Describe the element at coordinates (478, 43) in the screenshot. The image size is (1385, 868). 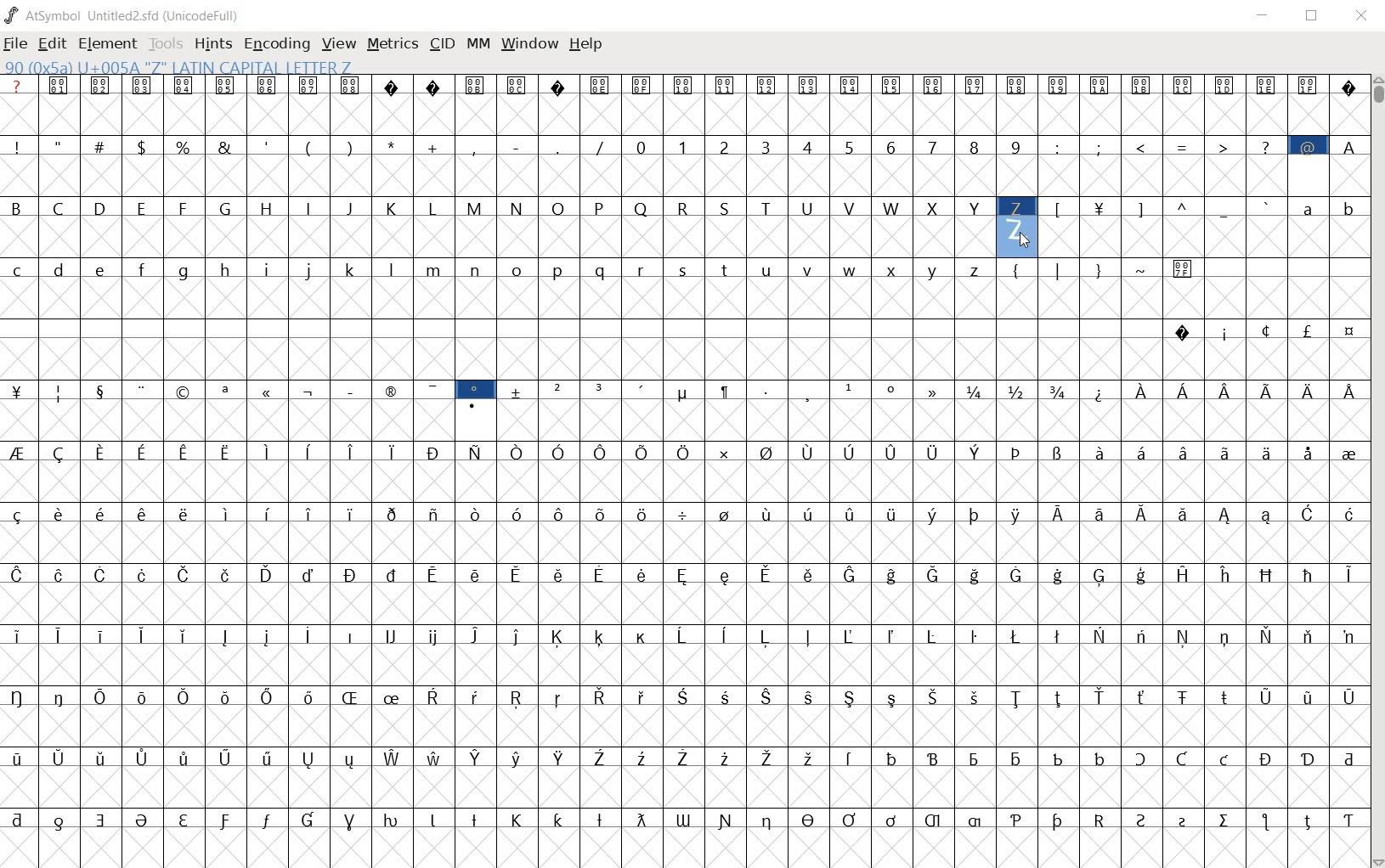
I see `mm` at that location.